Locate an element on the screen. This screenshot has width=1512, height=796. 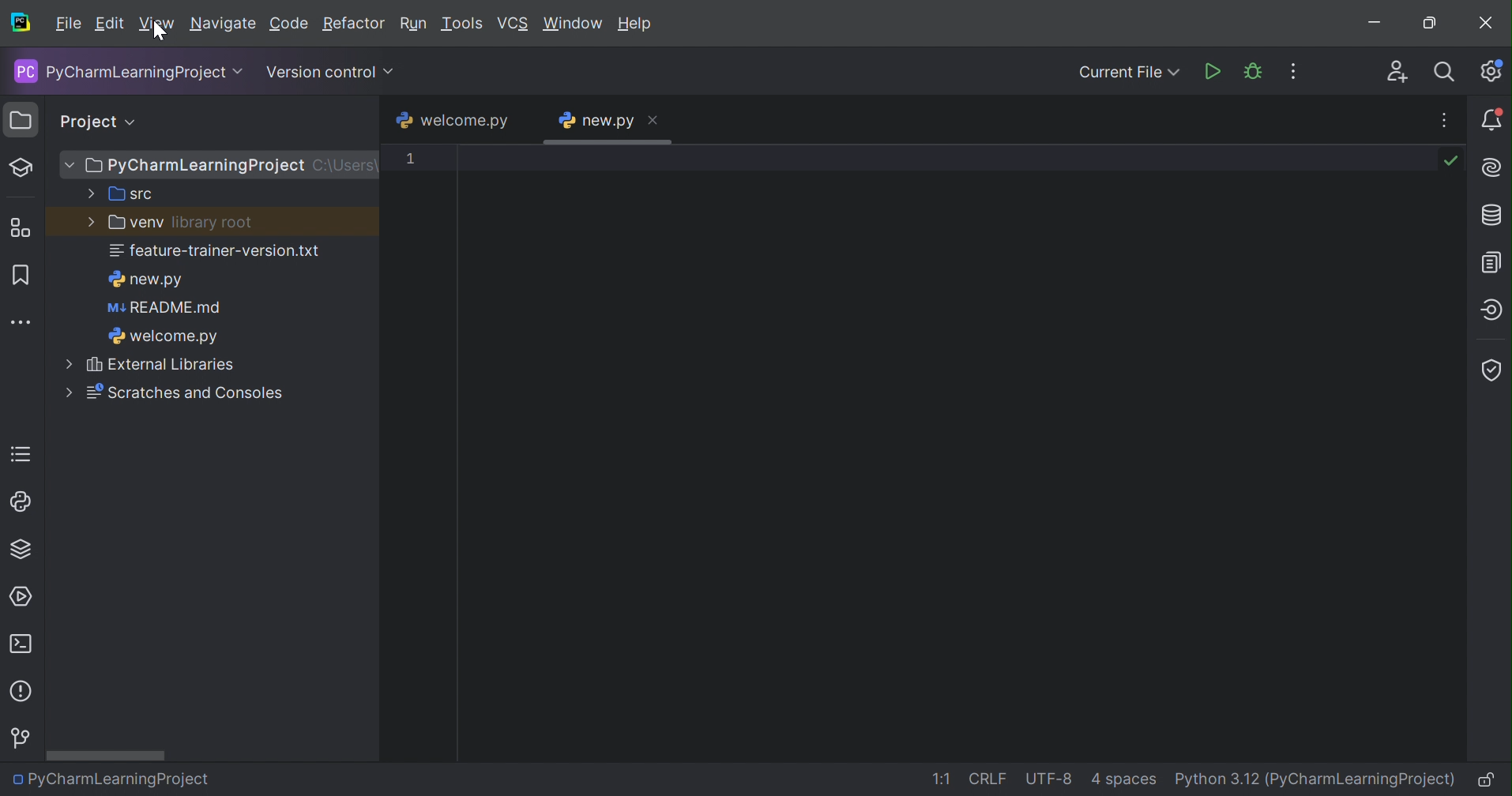
C:/Users is located at coordinates (343, 166).